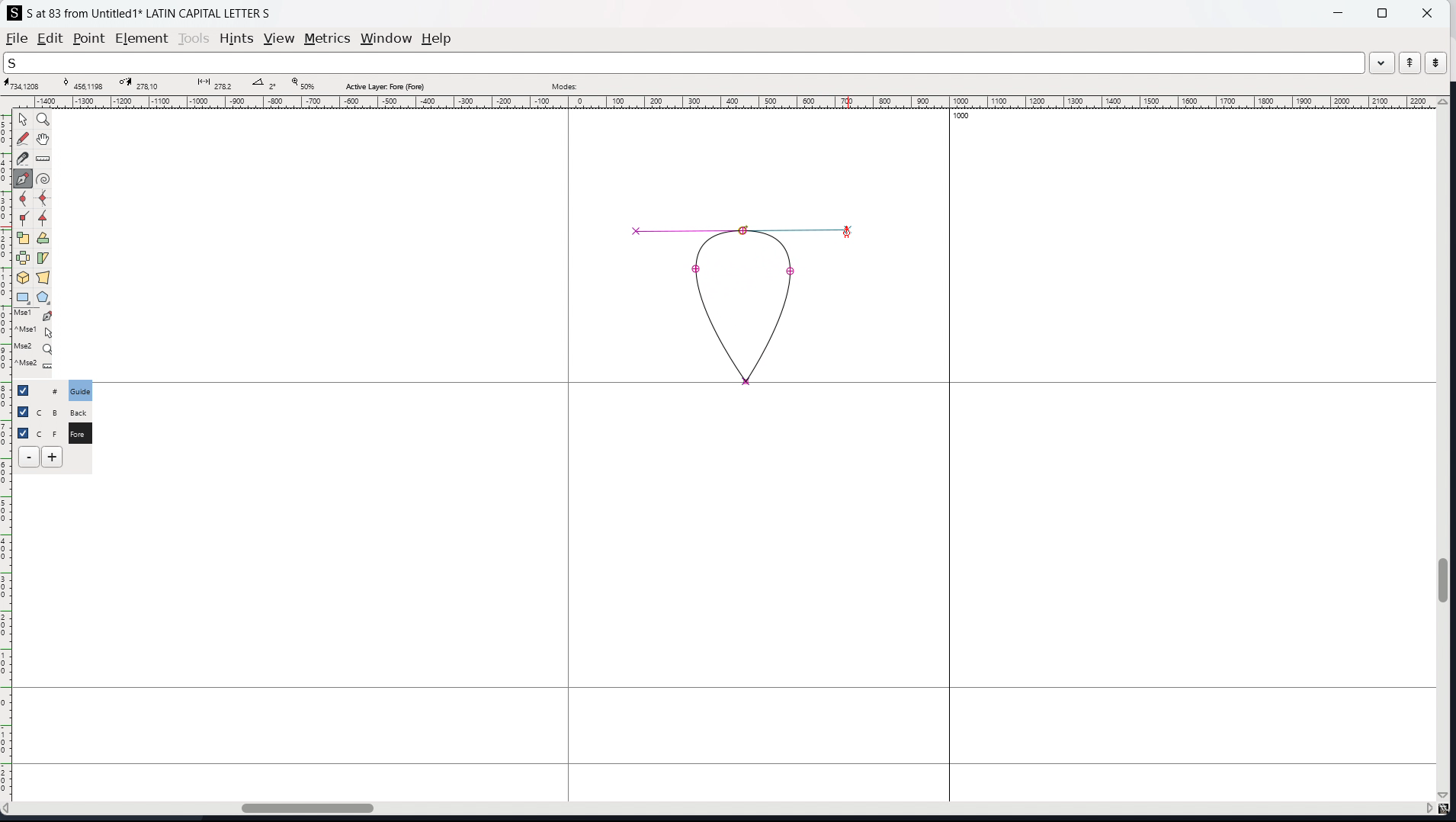 This screenshot has height=822, width=1456. Describe the element at coordinates (23, 159) in the screenshot. I see `cut splines in two` at that location.